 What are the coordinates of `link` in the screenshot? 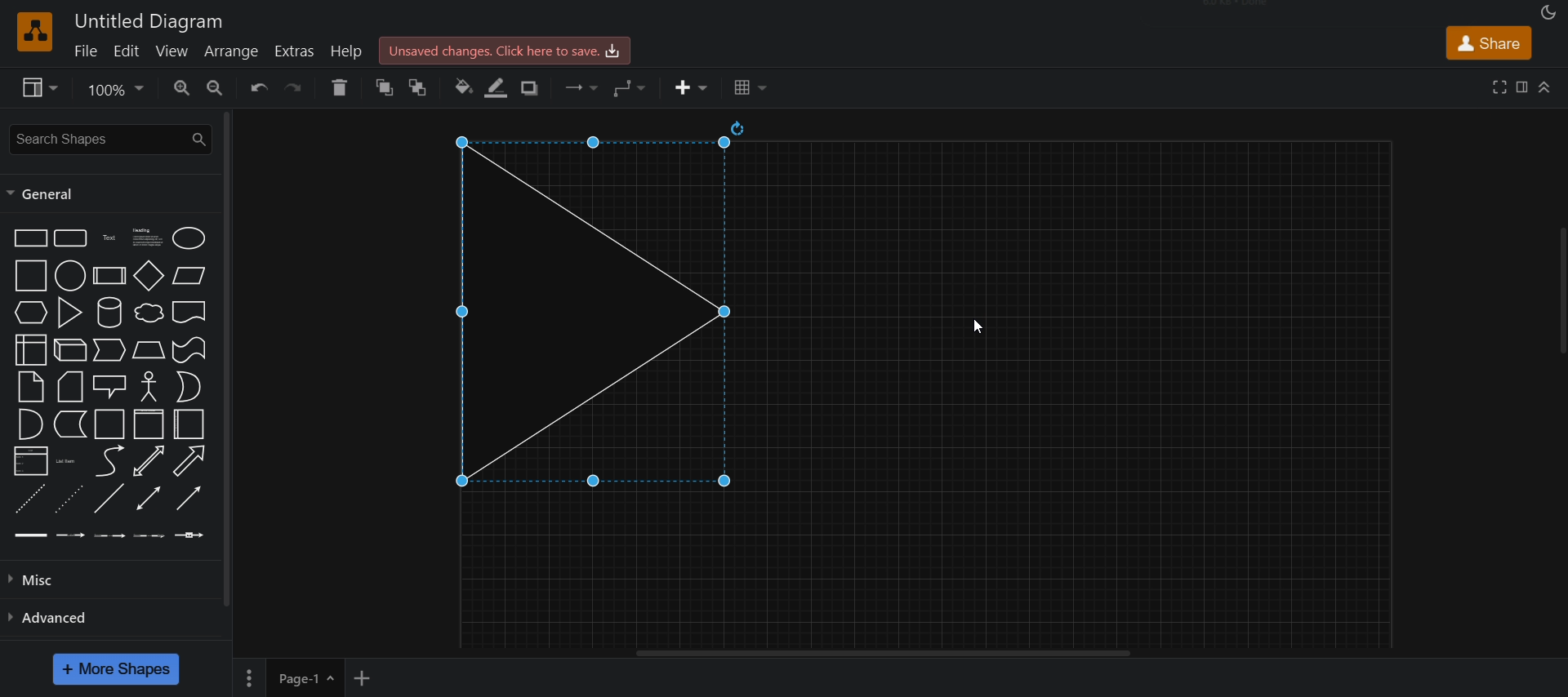 It's located at (29, 536).